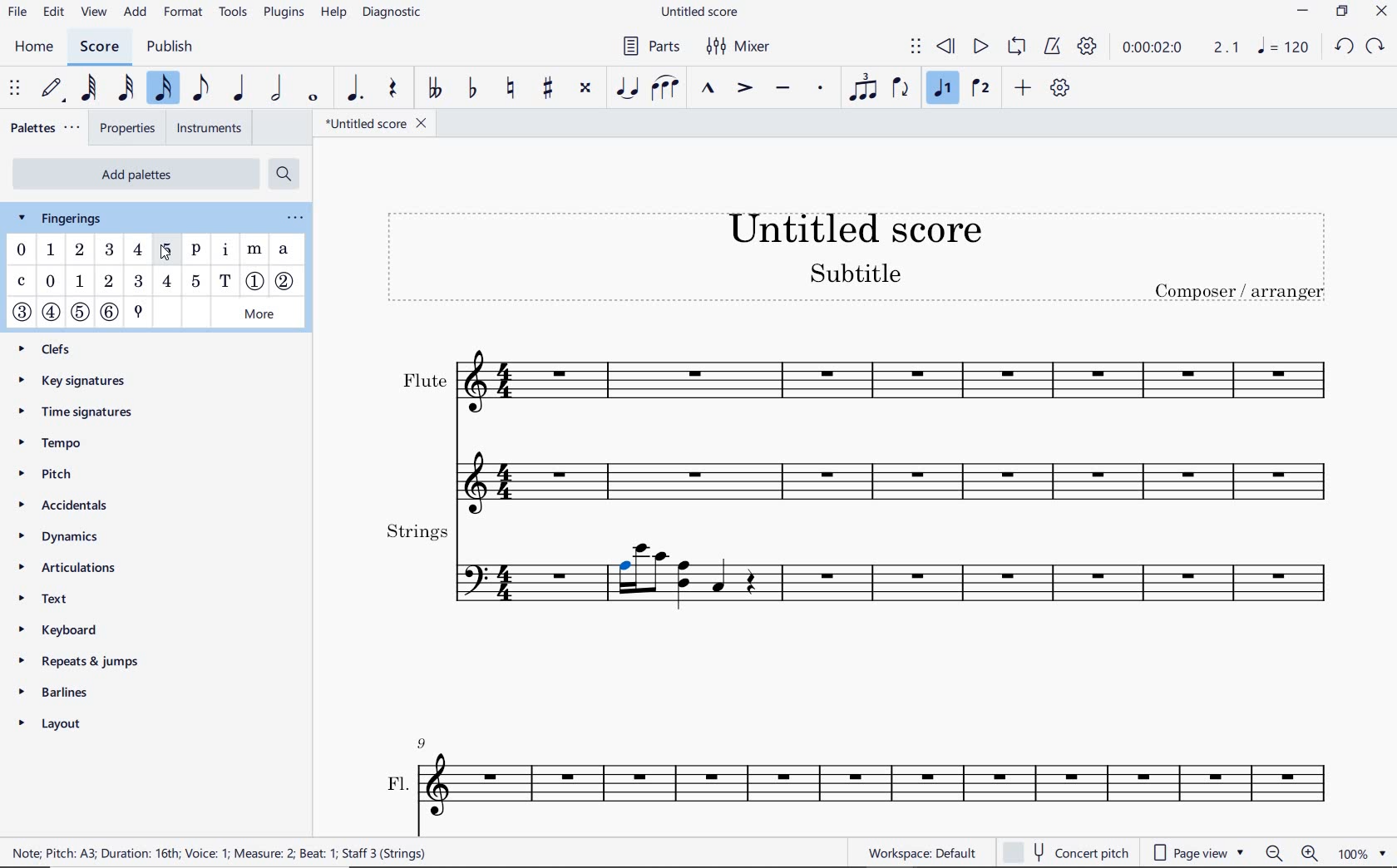 Image resolution: width=1397 pixels, height=868 pixels. What do you see at coordinates (52, 282) in the screenshot?
I see `LH GUITAR FINGERING 0` at bounding box center [52, 282].